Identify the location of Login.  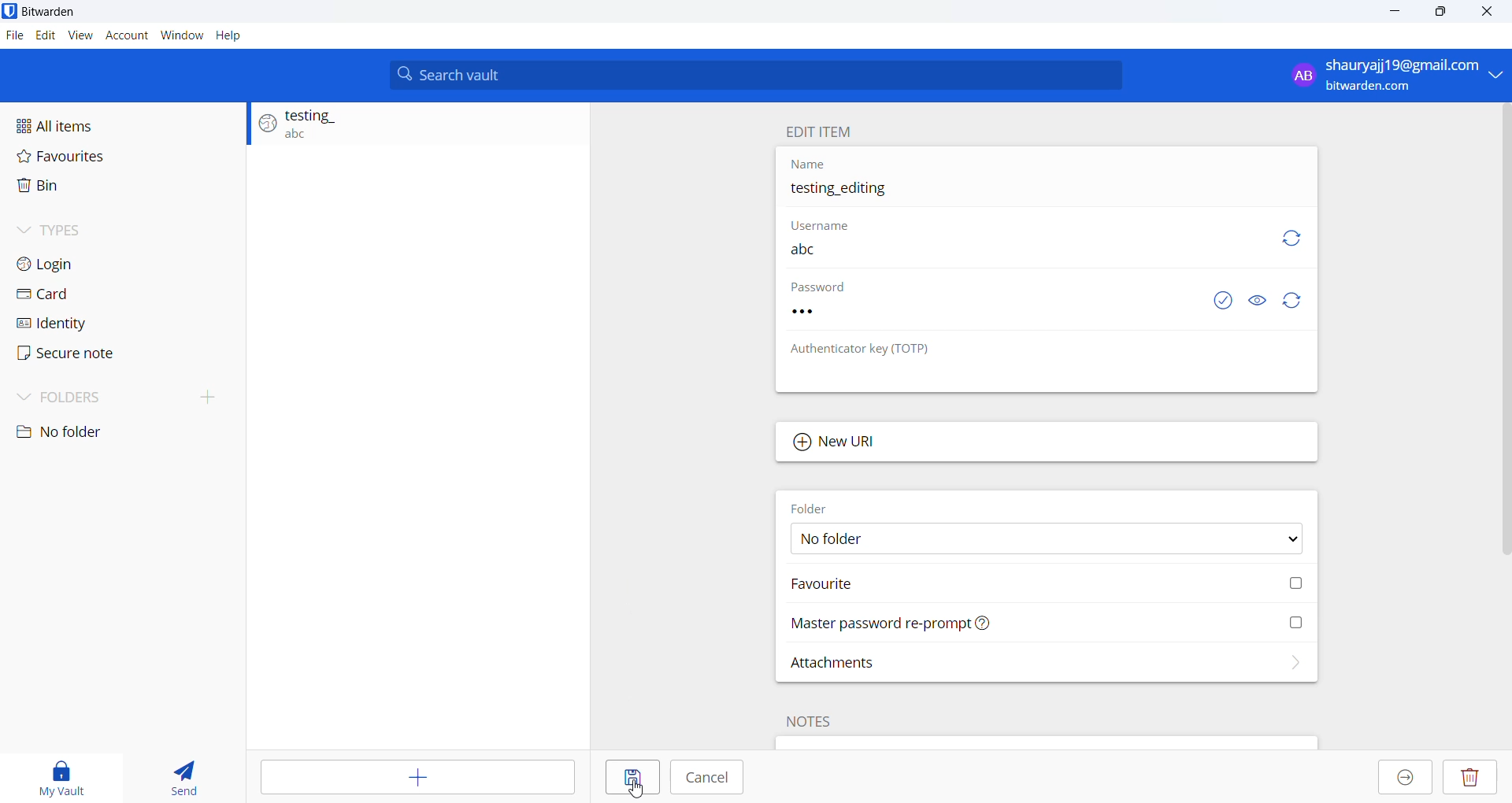
(112, 265).